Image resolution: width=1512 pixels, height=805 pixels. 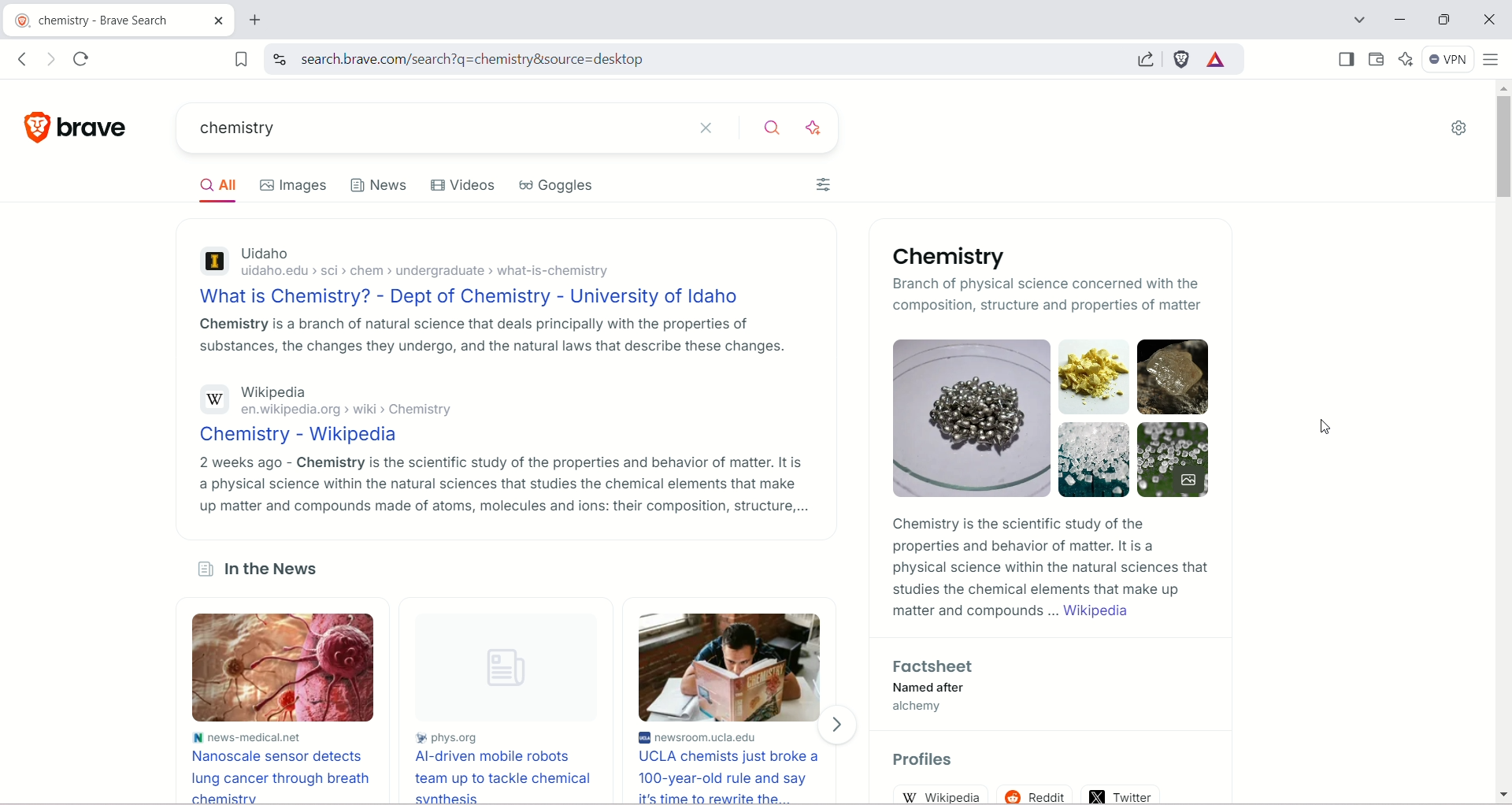 What do you see at coordinates (769, 130) in the screenshot?
I see `search` at bounding box center [769, 130].